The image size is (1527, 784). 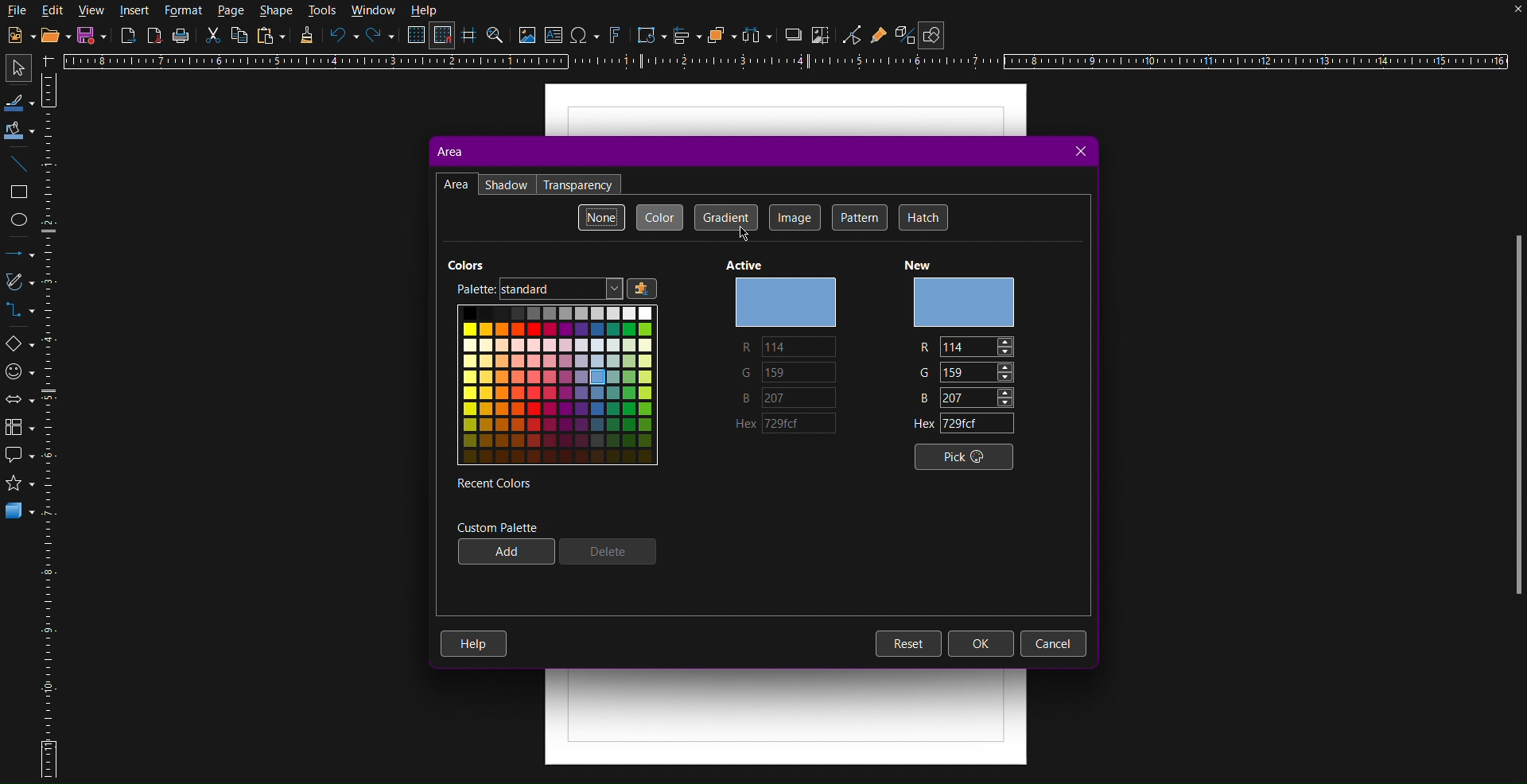 What do you see at coordinates (558, 384) in the screenshot?
I see `Colors` at bounding box center [558, 384].